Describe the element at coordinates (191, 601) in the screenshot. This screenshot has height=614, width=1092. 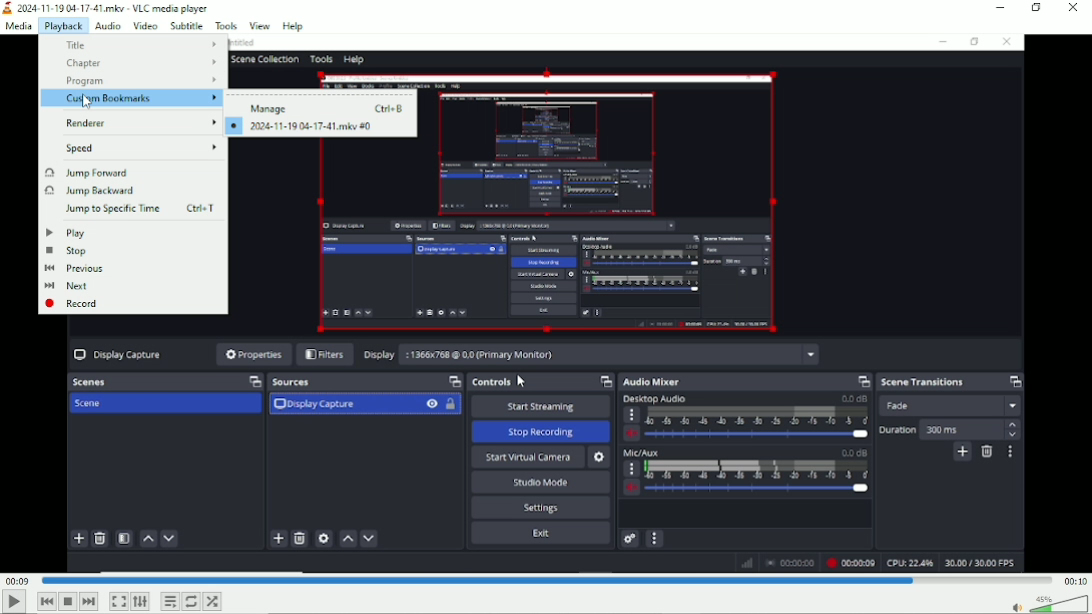
I see `Toggle between loop all, loop one and no loop` at that location.